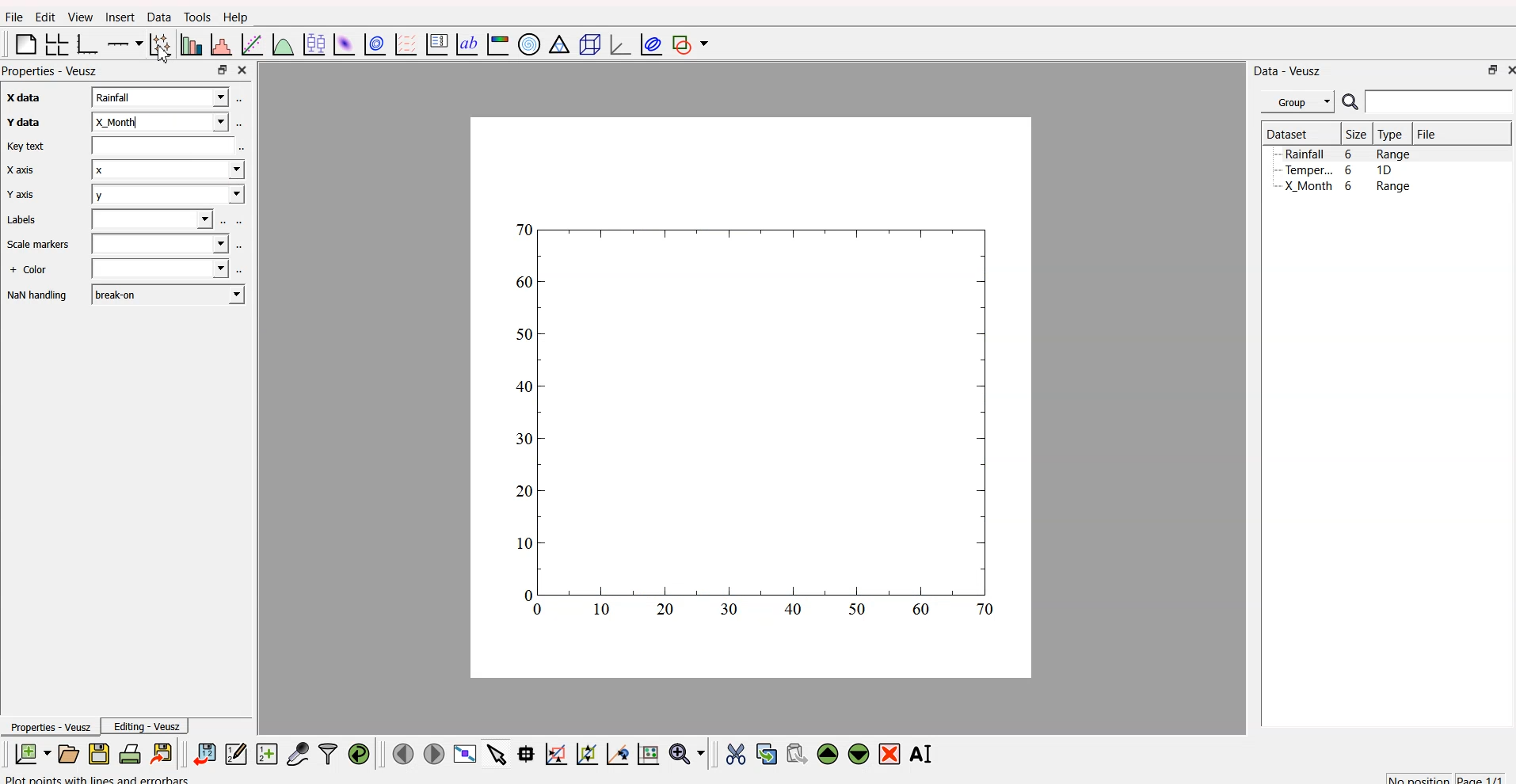  Describe the element at coordinates (22, 47) in the screenshot. I see `blank page` at that location.